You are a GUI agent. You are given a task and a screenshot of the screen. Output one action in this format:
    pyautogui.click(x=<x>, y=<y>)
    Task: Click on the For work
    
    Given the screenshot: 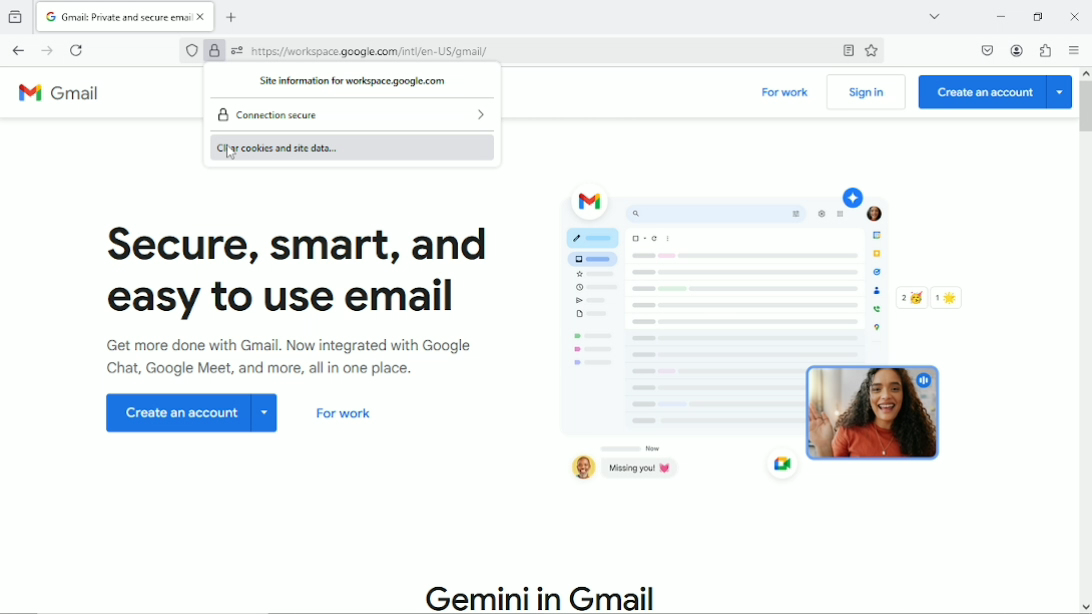 What is the action you would take?
    pyautogui.click(x=786, y=94)
    